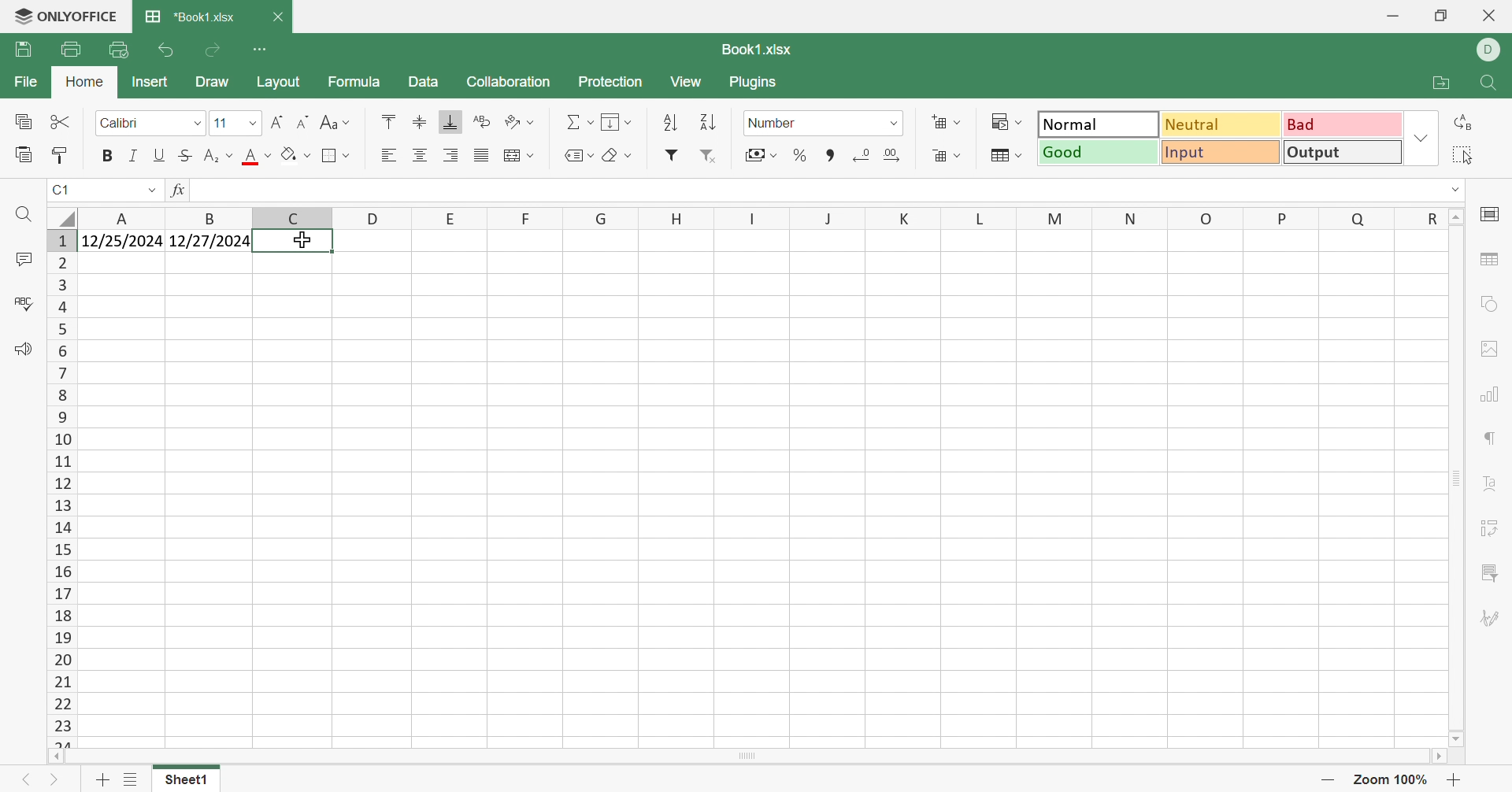 This screenshot has width=1512, height=792. Describe the element at coordinates (219, 155) in the screenshot. I see `Superscript / Subscript` at that location.